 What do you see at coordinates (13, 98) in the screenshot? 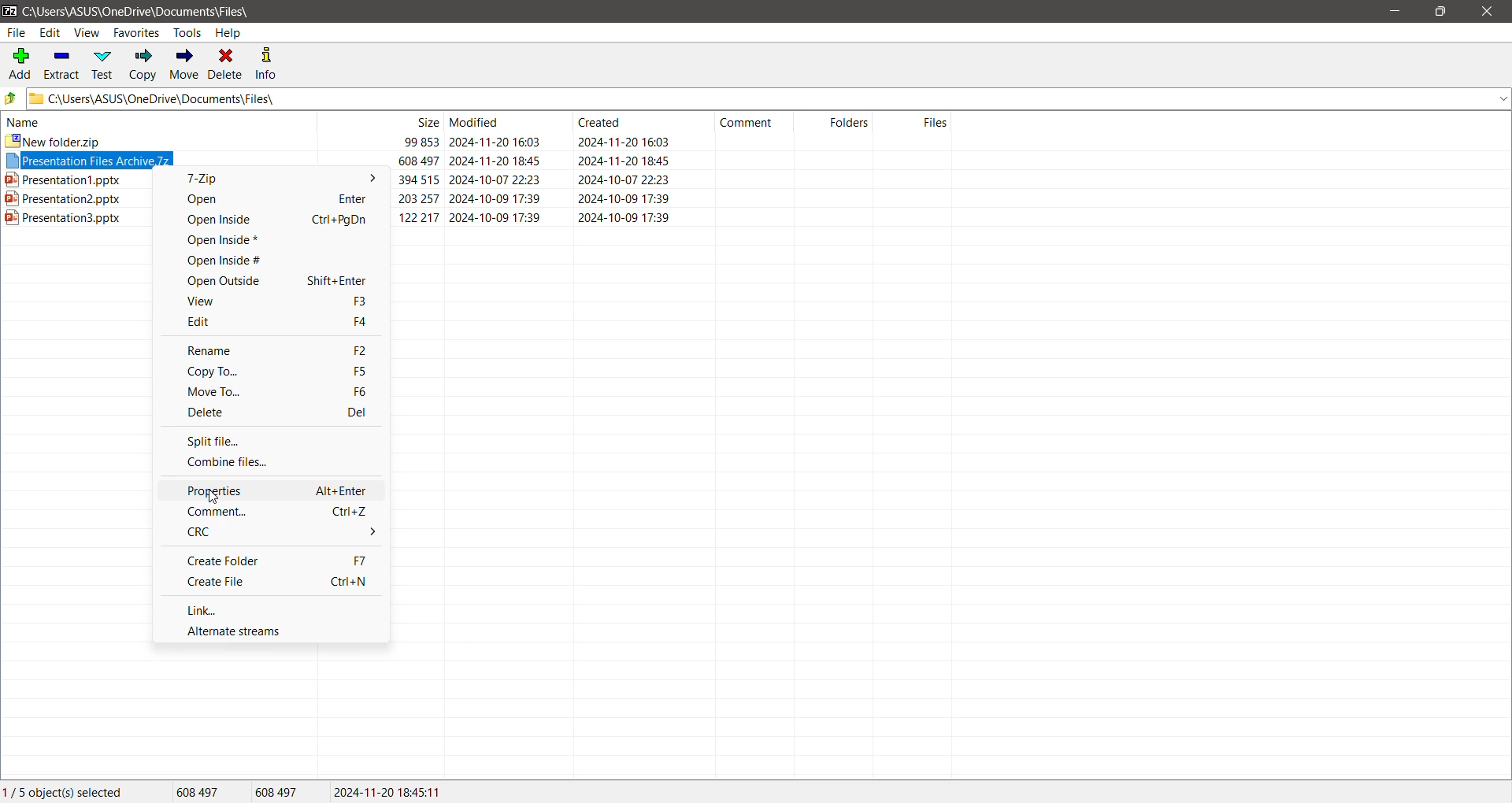
I see `Move Up one level` at bounding box center [13, 98].